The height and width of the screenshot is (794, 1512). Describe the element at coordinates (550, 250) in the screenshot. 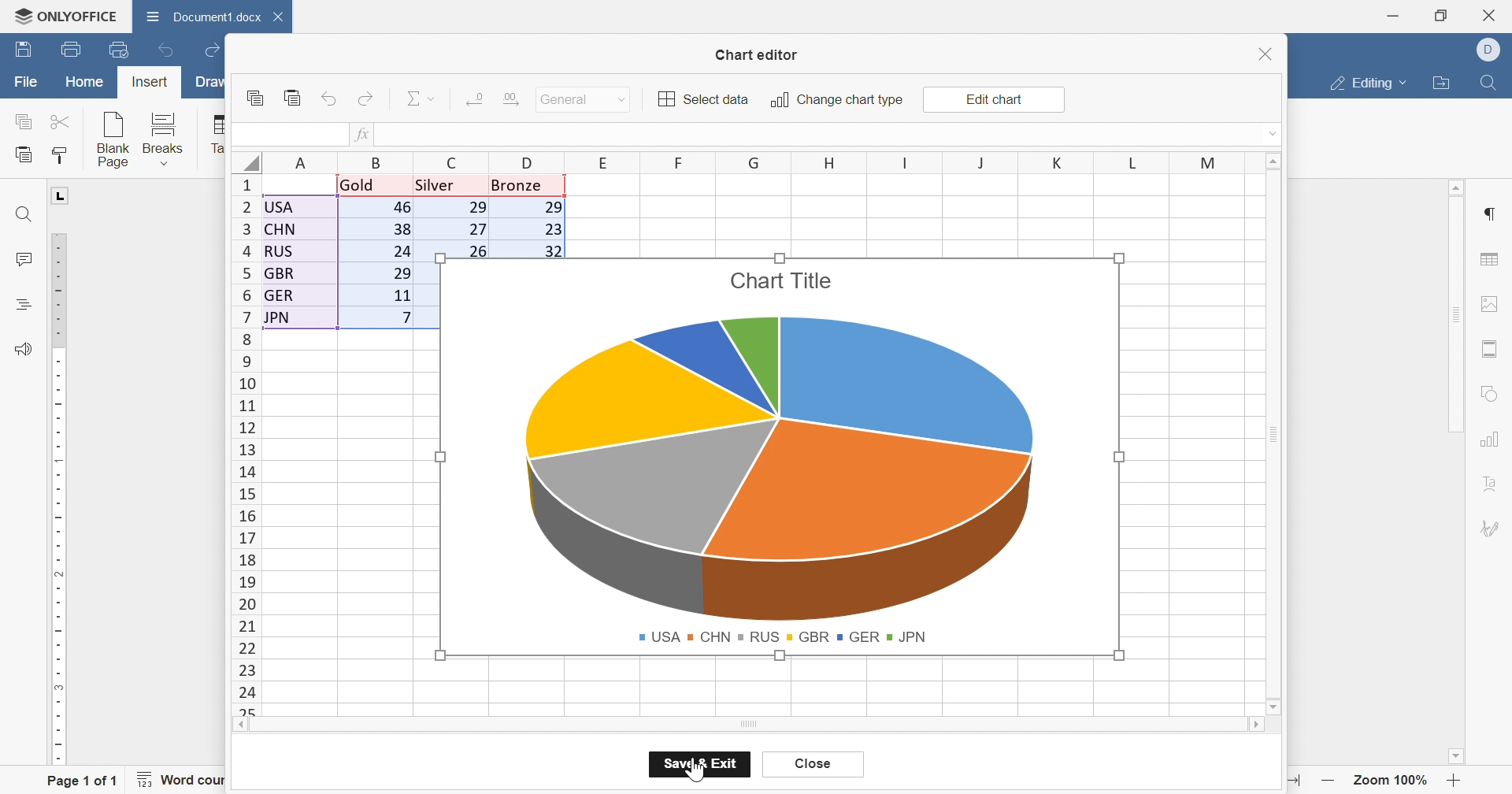

I see `32` at that location.